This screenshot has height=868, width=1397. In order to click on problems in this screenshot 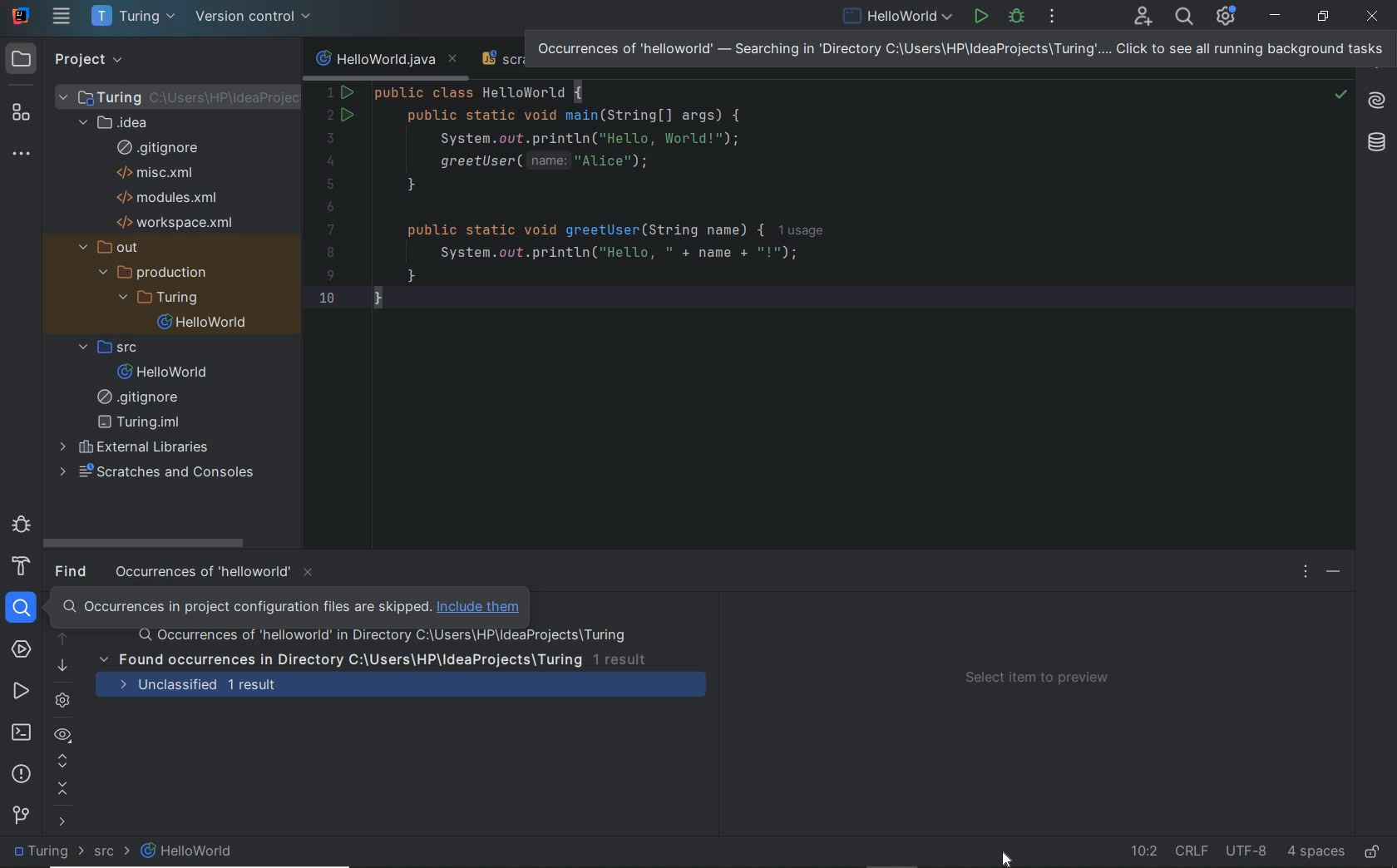, I will do `click(22, 775)`.